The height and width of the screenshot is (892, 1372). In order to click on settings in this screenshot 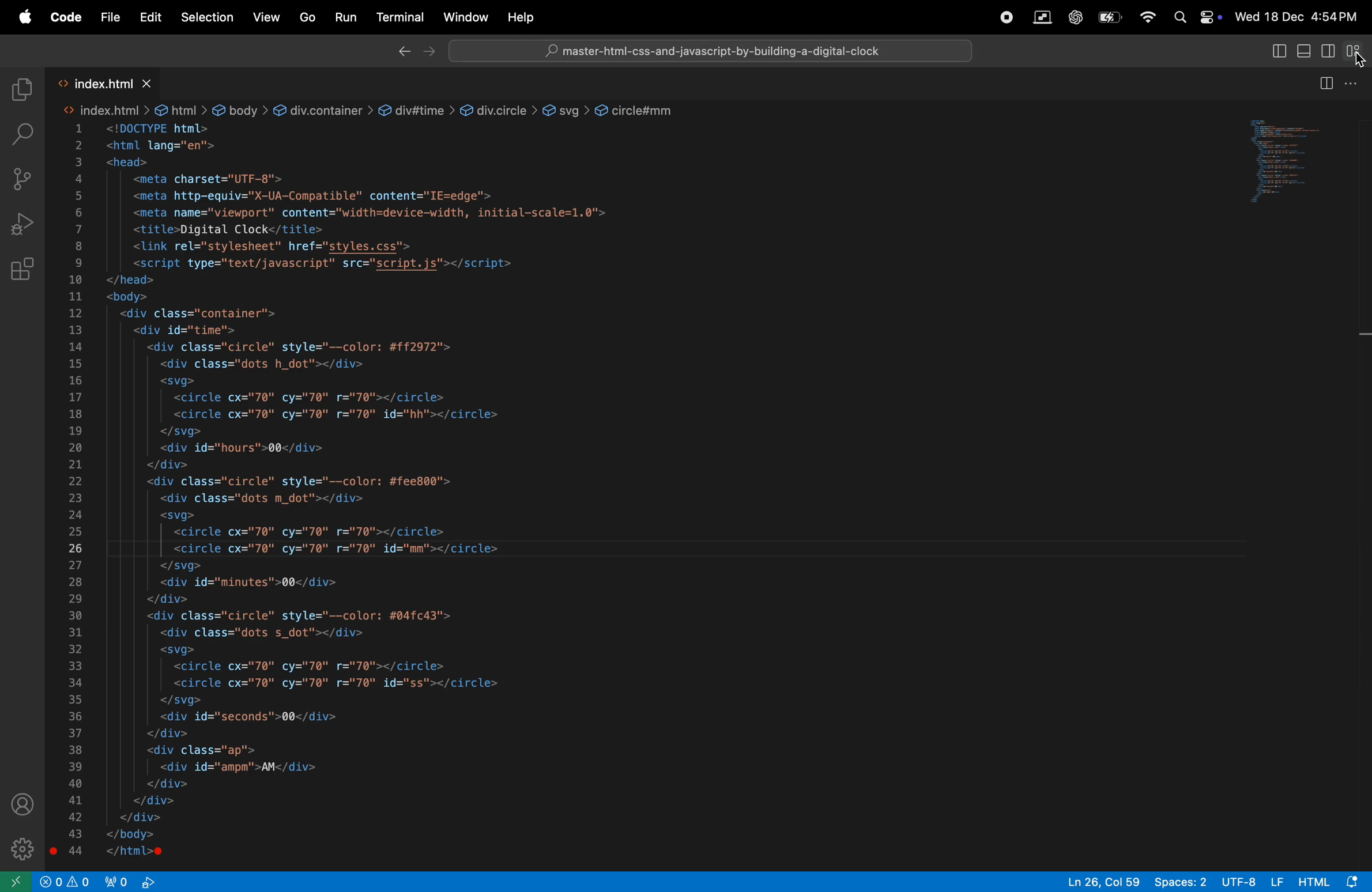, I will do `click(21, 851)`.